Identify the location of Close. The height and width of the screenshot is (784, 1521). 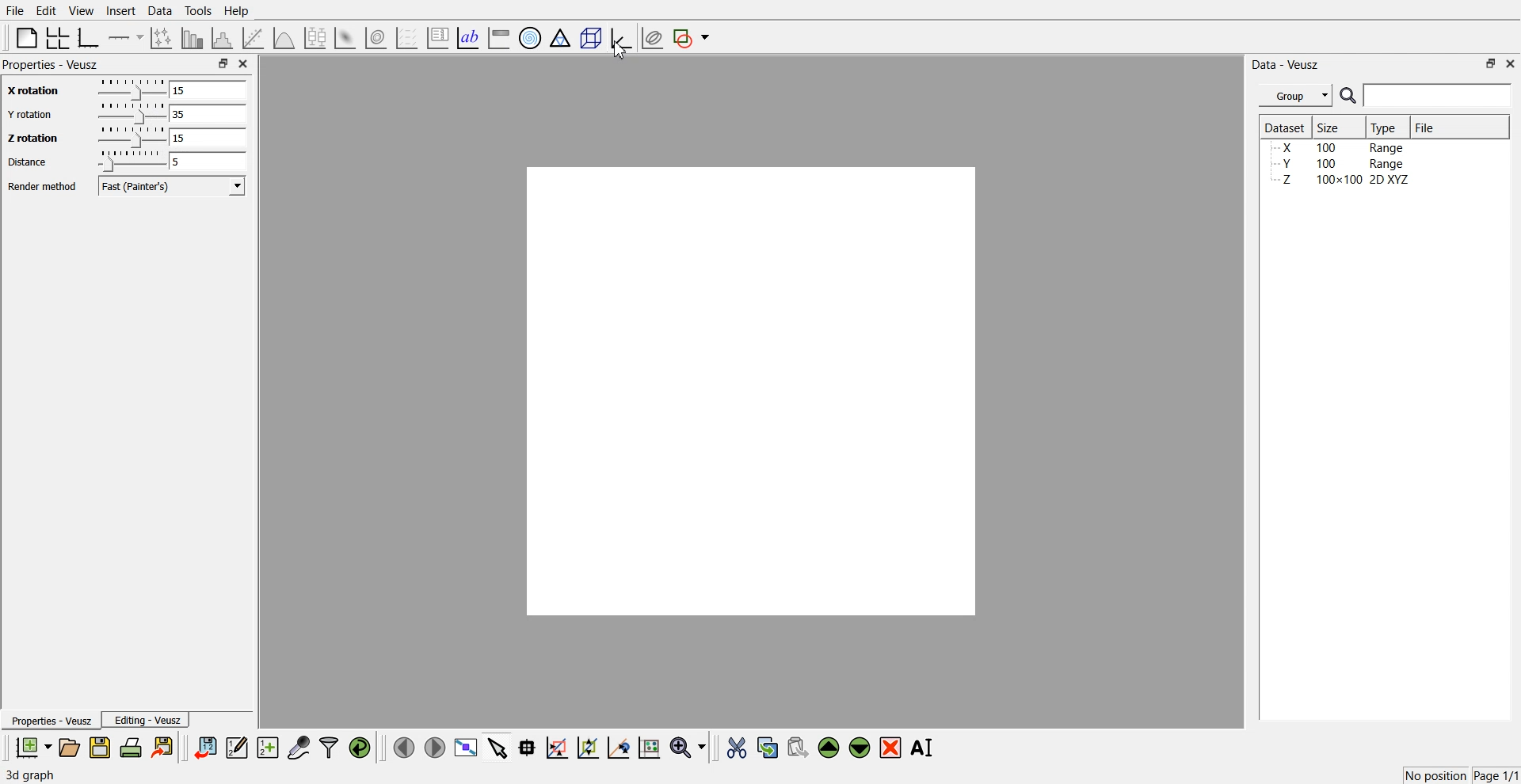
(1511, 63).